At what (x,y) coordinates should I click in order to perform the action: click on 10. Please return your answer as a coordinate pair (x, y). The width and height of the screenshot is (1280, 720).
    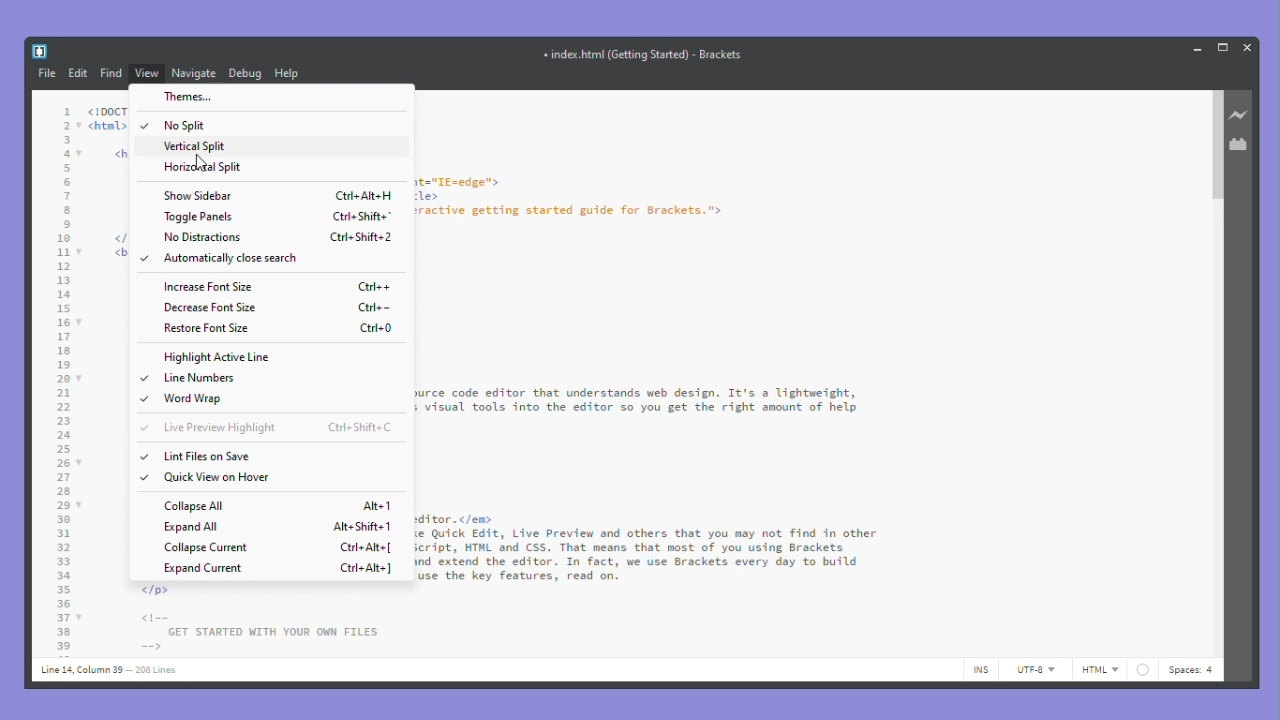
    Looking at the image, I should click on (64, 239).